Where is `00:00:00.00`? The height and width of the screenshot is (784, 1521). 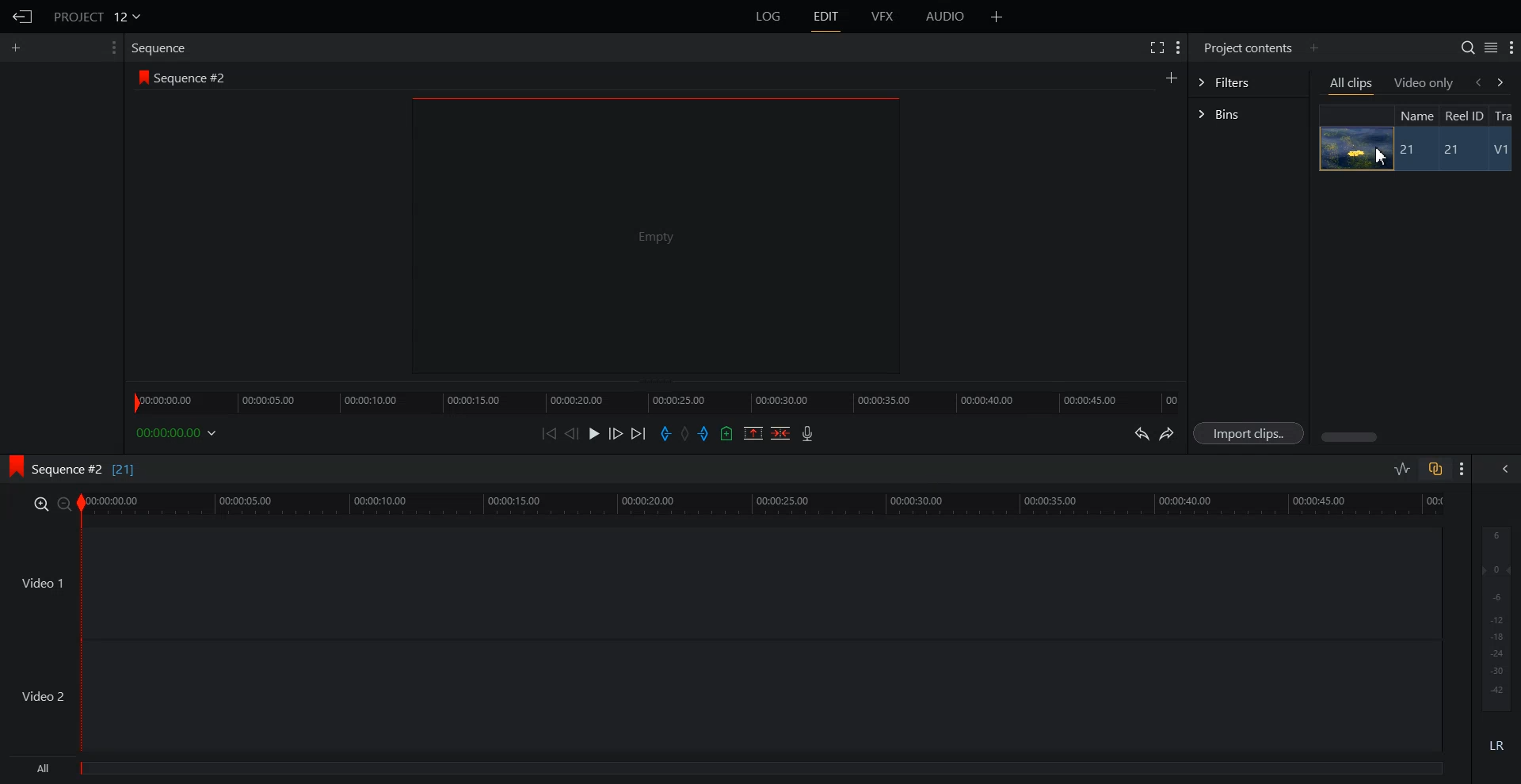 00:00:00.00 is located at coordinates (179, 432).